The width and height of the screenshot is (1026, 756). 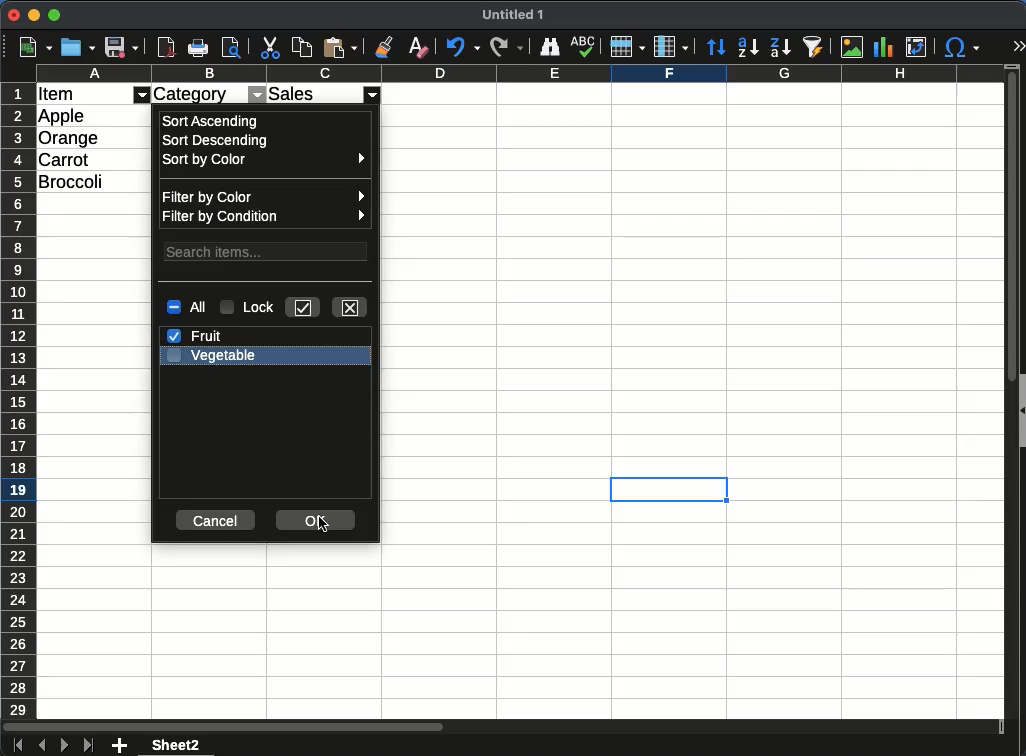 What do you see at coordinates (249, 307) in the screenshot?
I see `lock` at bounding box center [249, 307].